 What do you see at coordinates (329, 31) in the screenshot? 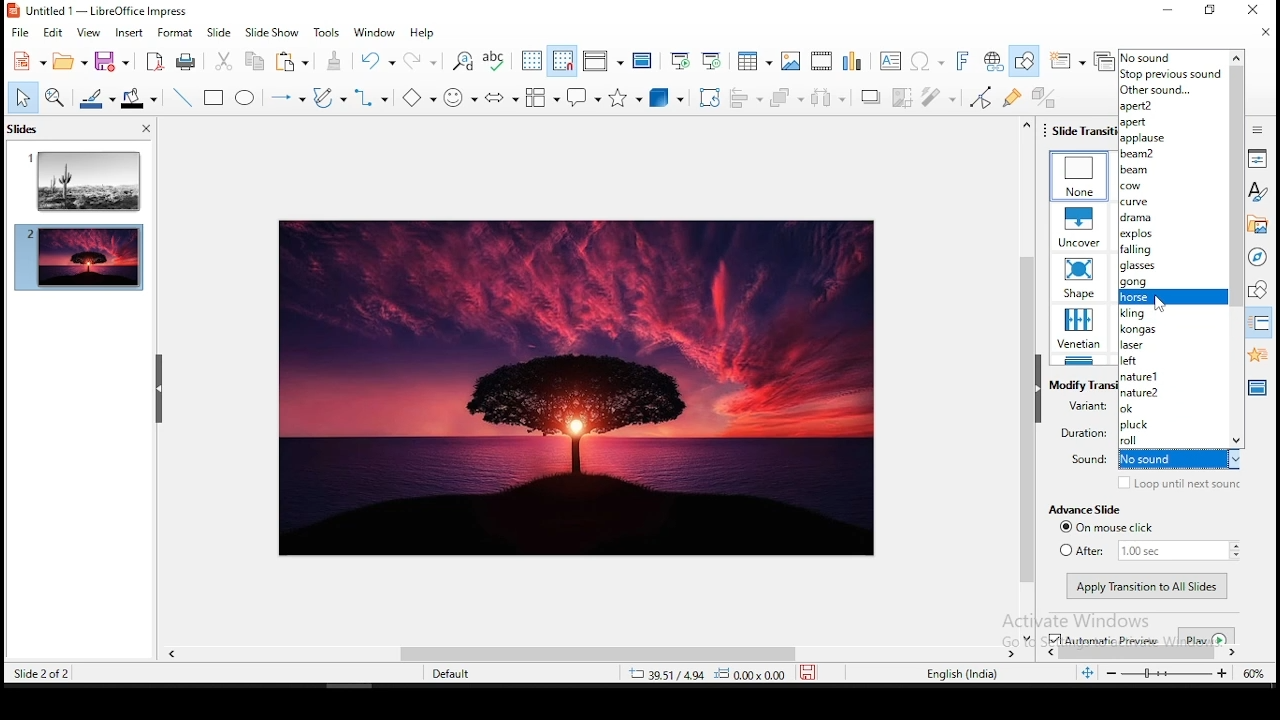
I see `tools` at bounding box center [329, 31].